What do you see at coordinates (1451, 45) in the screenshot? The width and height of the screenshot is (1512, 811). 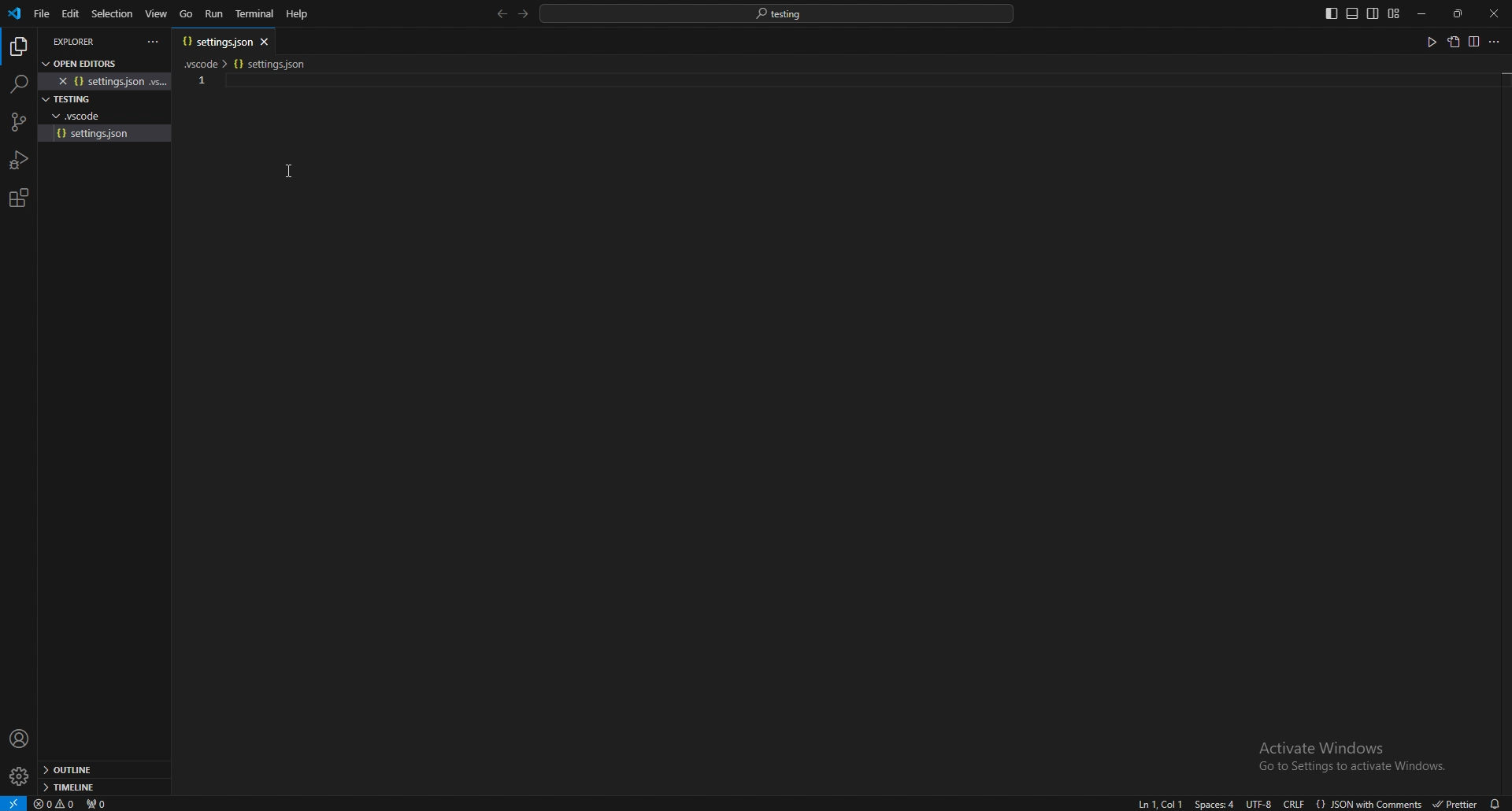 I see `copy` at bounding box center [1451, 45].